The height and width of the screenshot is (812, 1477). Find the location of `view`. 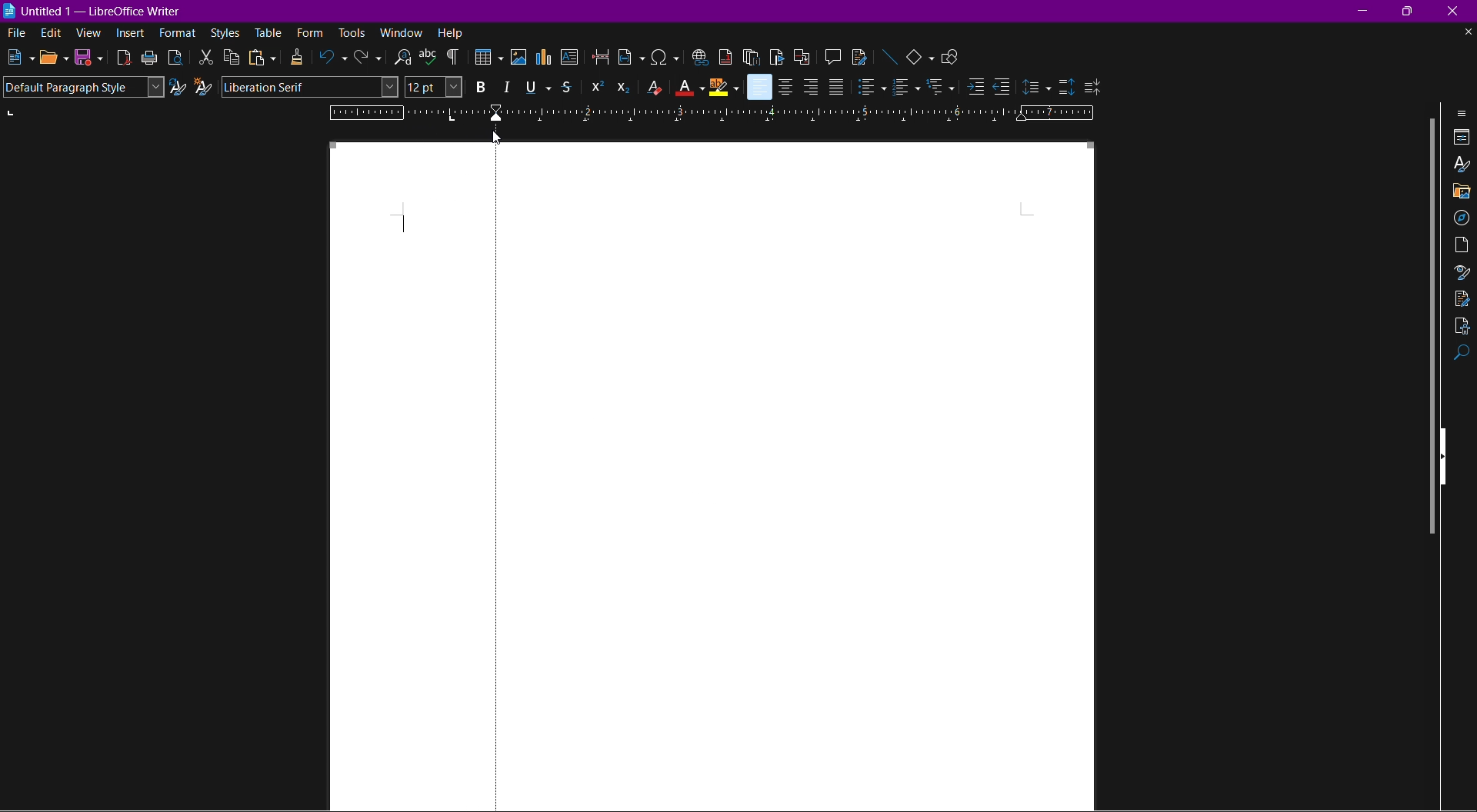

view is located at coordinates (90, 35).